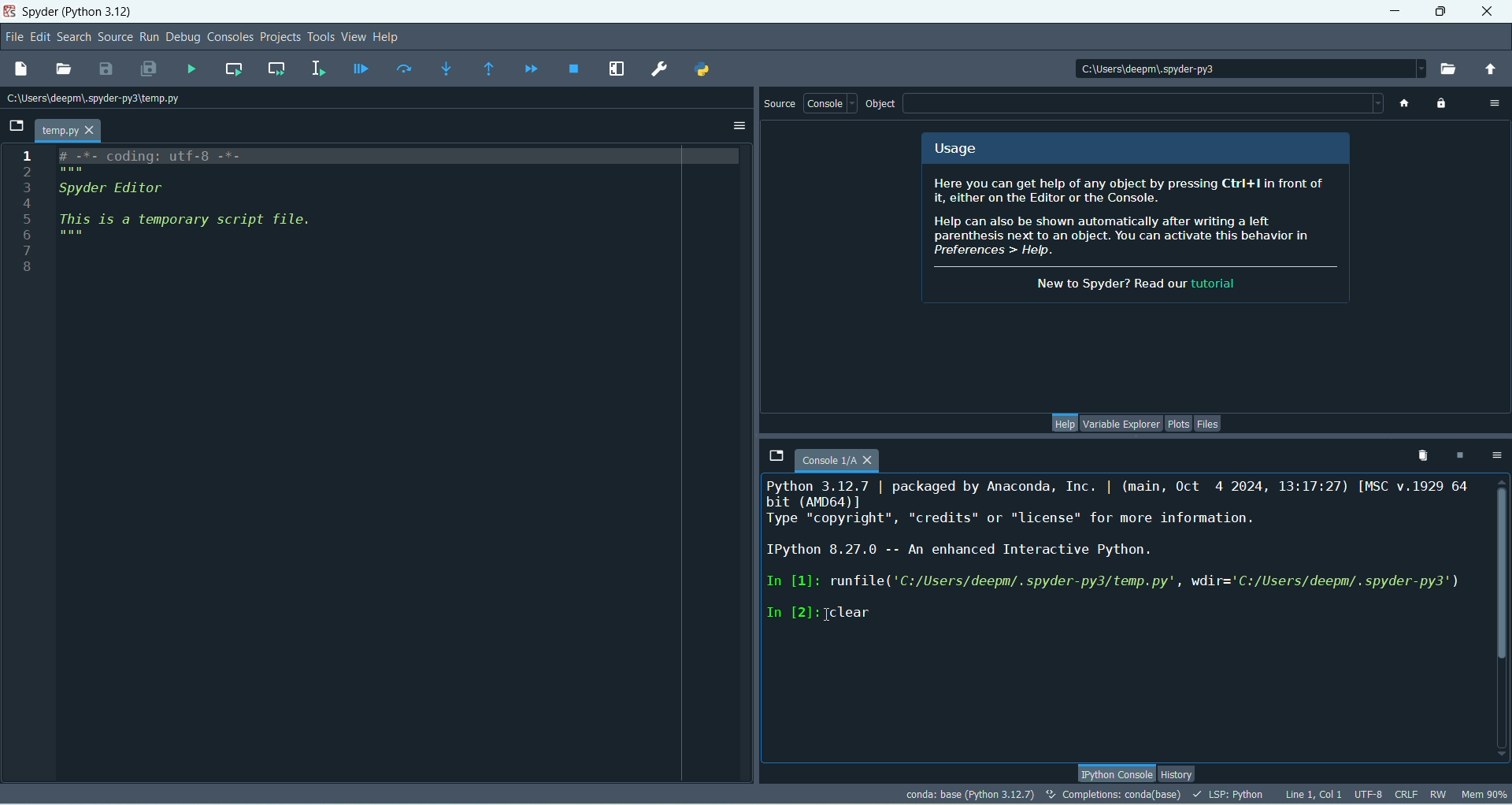  Describe the element at coordinates (83, 13) in the screenshot. I see `Spyder` at that location.